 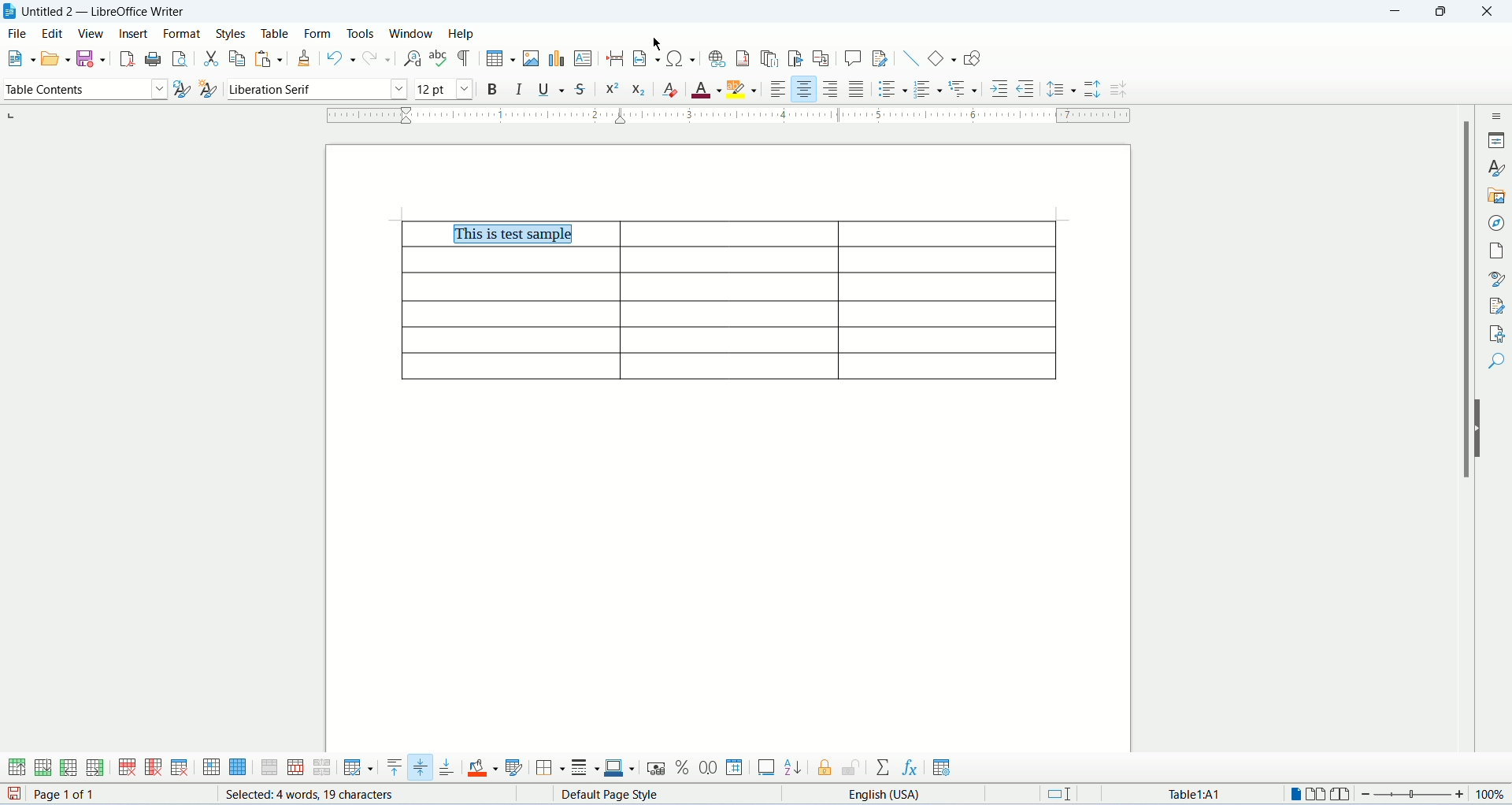 What do you see at coordinates (780, 89) in the screenshot?
I see `align left` at bounding box center [780, 89].